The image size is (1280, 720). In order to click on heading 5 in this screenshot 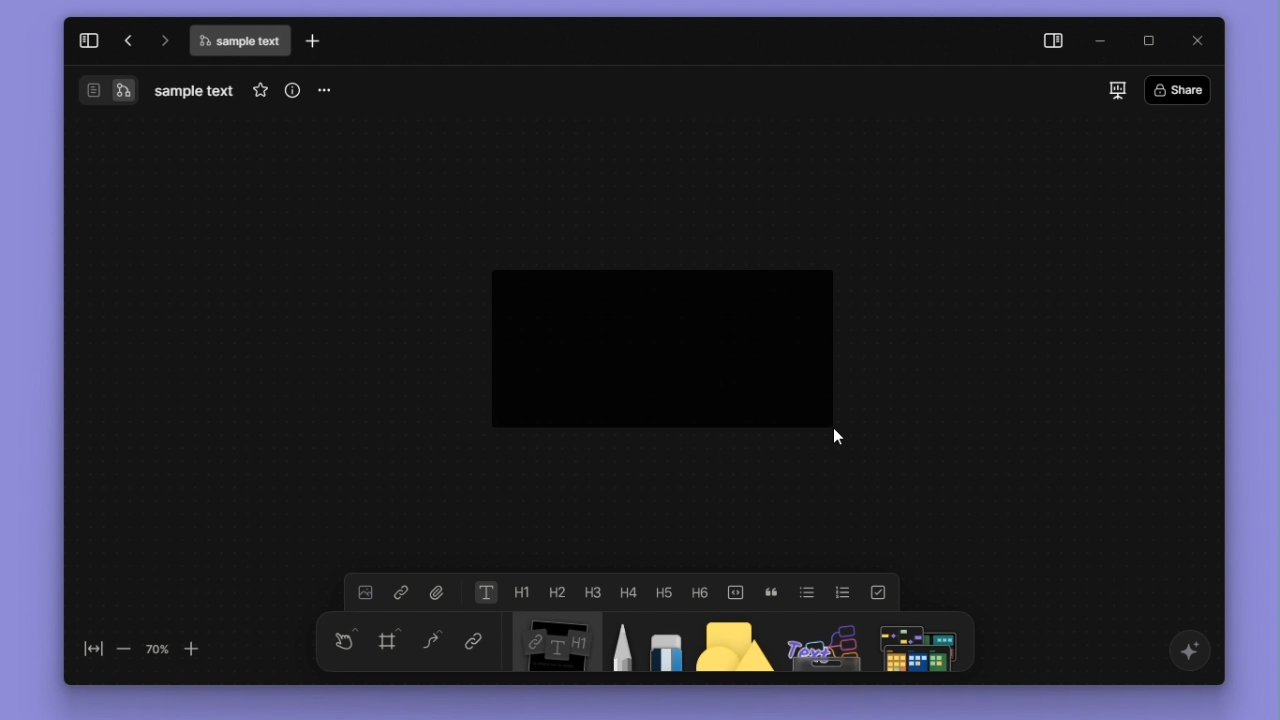, I will do `click(664, 591)`.